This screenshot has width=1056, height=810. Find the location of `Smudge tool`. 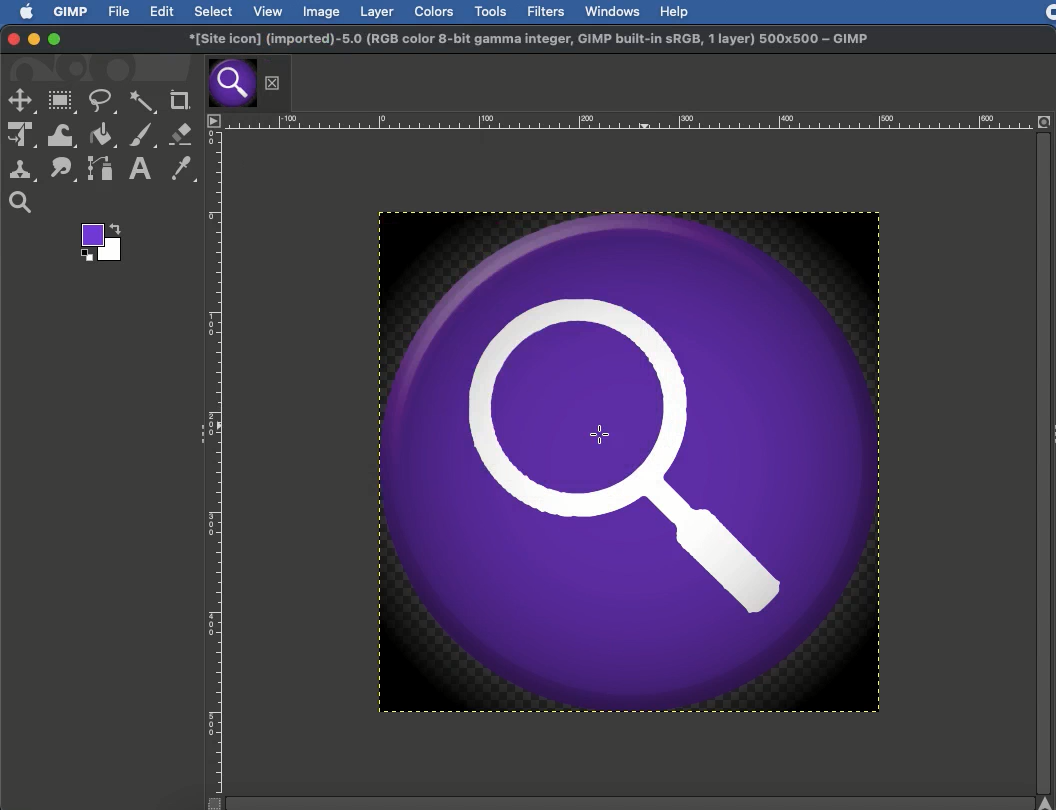

Smudge tool is located at coordinates (64, 170).